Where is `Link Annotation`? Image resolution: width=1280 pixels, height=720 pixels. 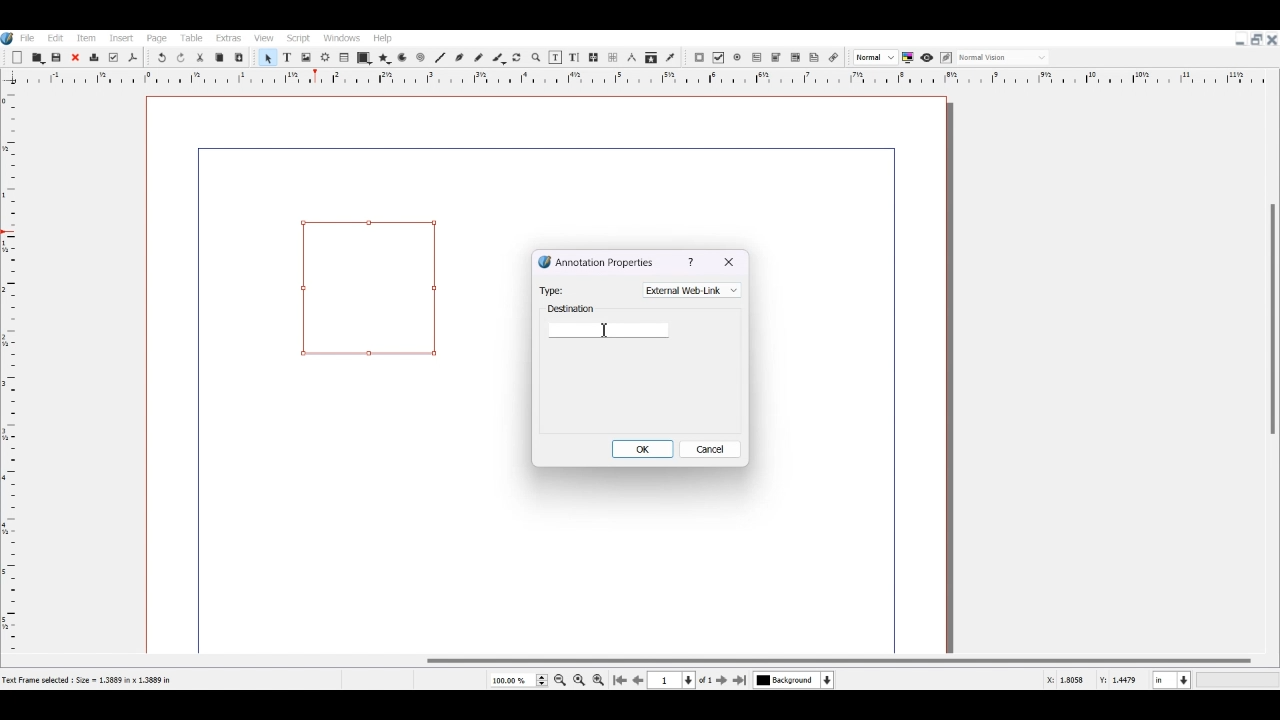
Link Annotation is located at coordinates (833, 56).